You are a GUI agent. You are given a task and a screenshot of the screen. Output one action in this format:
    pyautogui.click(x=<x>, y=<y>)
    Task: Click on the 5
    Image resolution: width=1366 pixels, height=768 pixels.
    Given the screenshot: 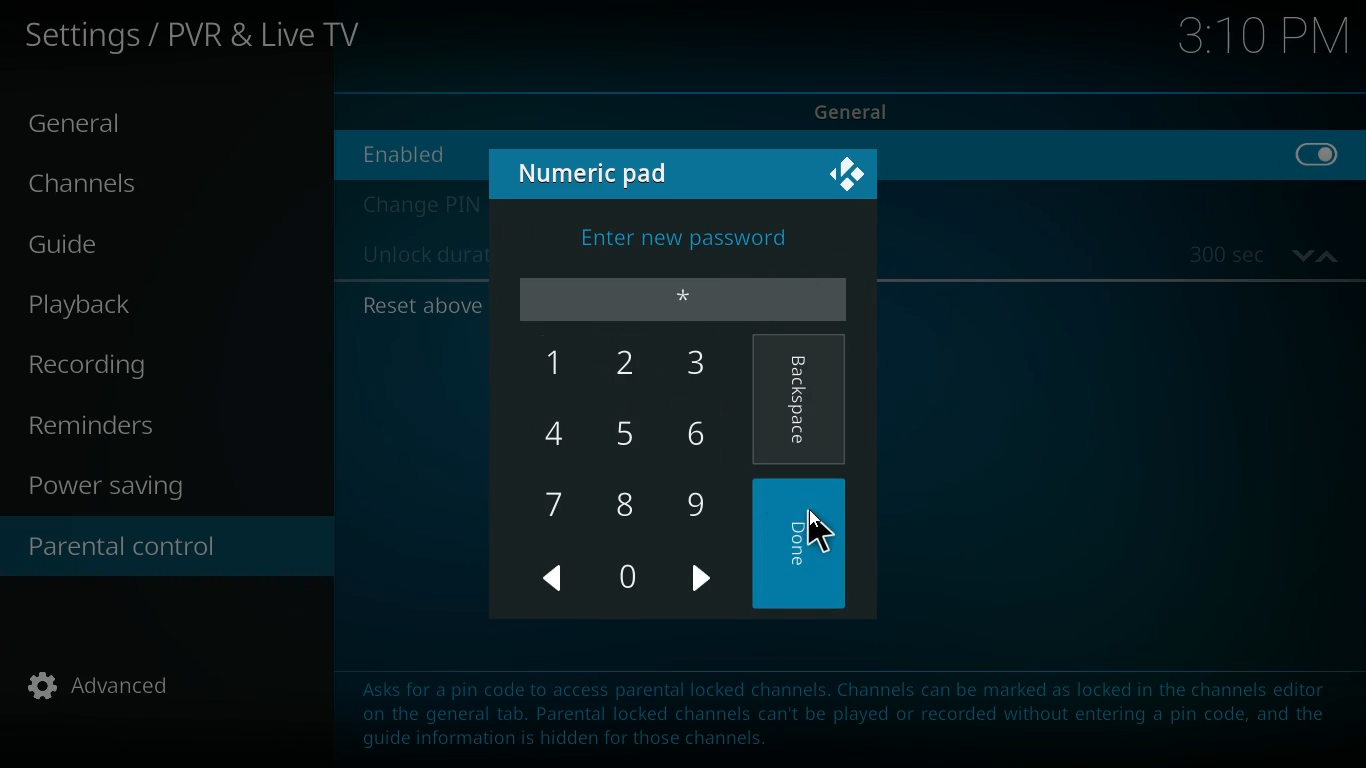 What is the action you would take?
    pyautogui.click(x=629, y=432)
    